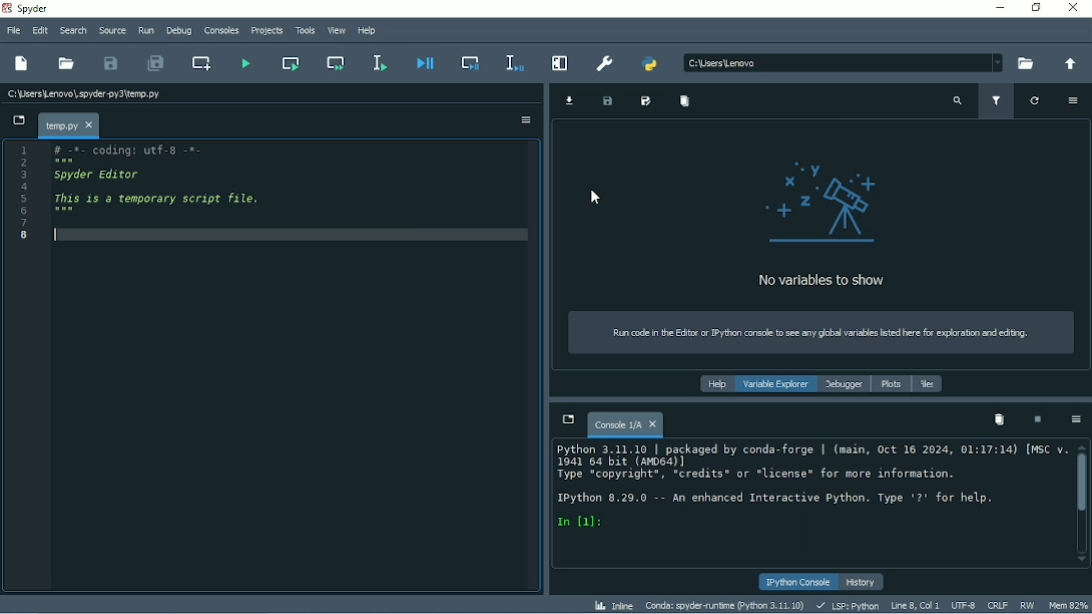 This screenshot has height=614, width=1092. What do you see at coordinates (996, 7) in the screenshot?
I see `Minimize` at bounding box center [996, 7].